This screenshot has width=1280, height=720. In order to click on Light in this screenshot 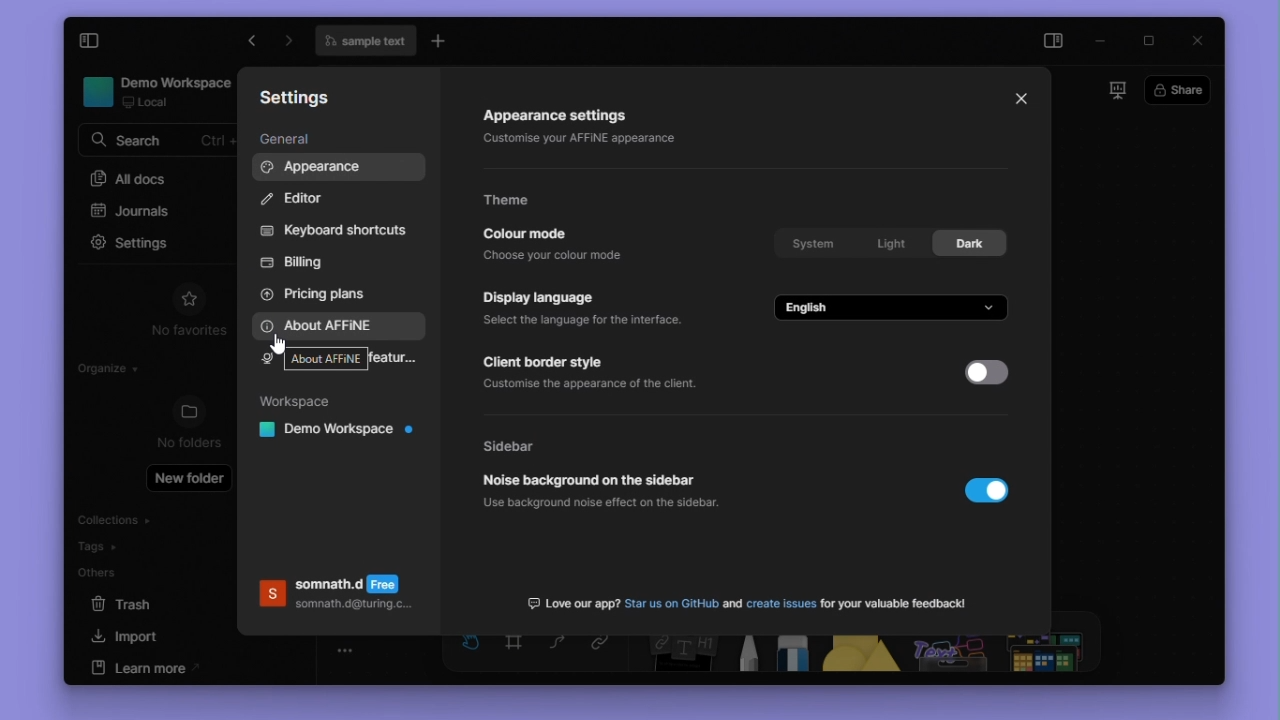, I will do `click(891, 241)`.